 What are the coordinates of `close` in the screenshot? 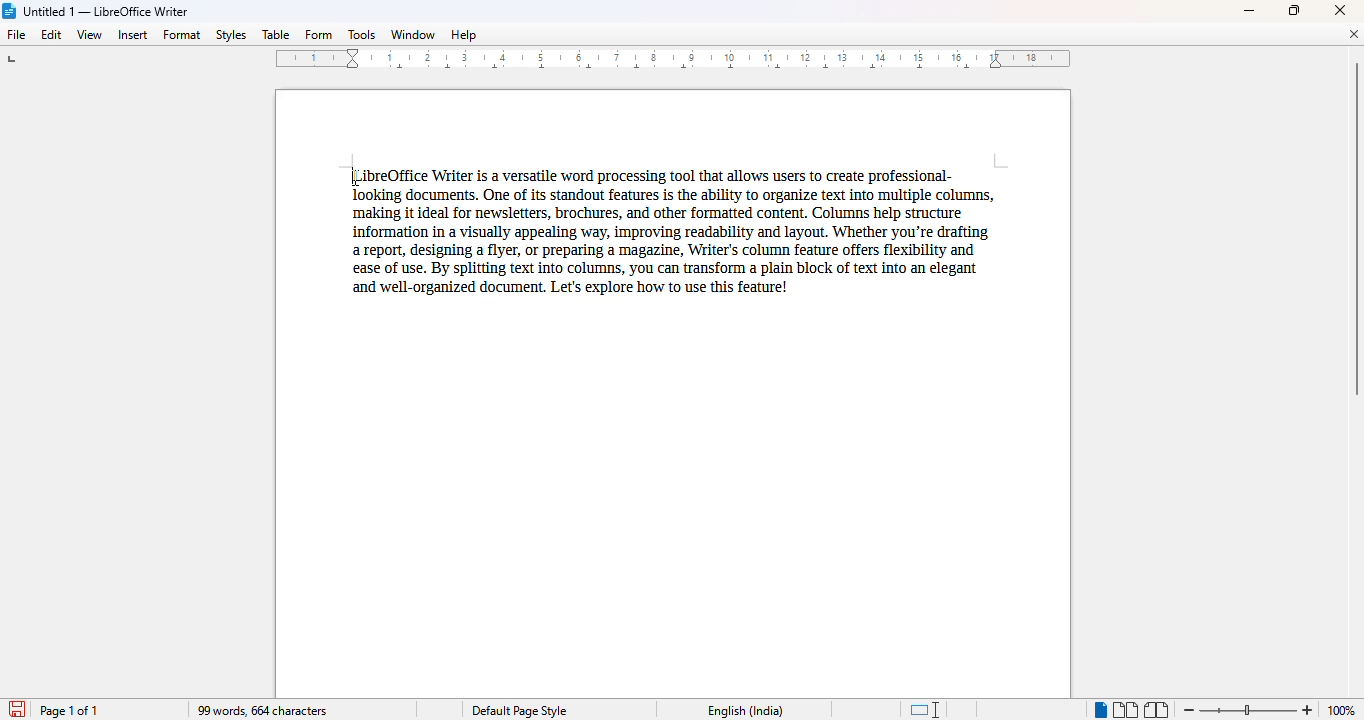 It's located at (1339, 10).